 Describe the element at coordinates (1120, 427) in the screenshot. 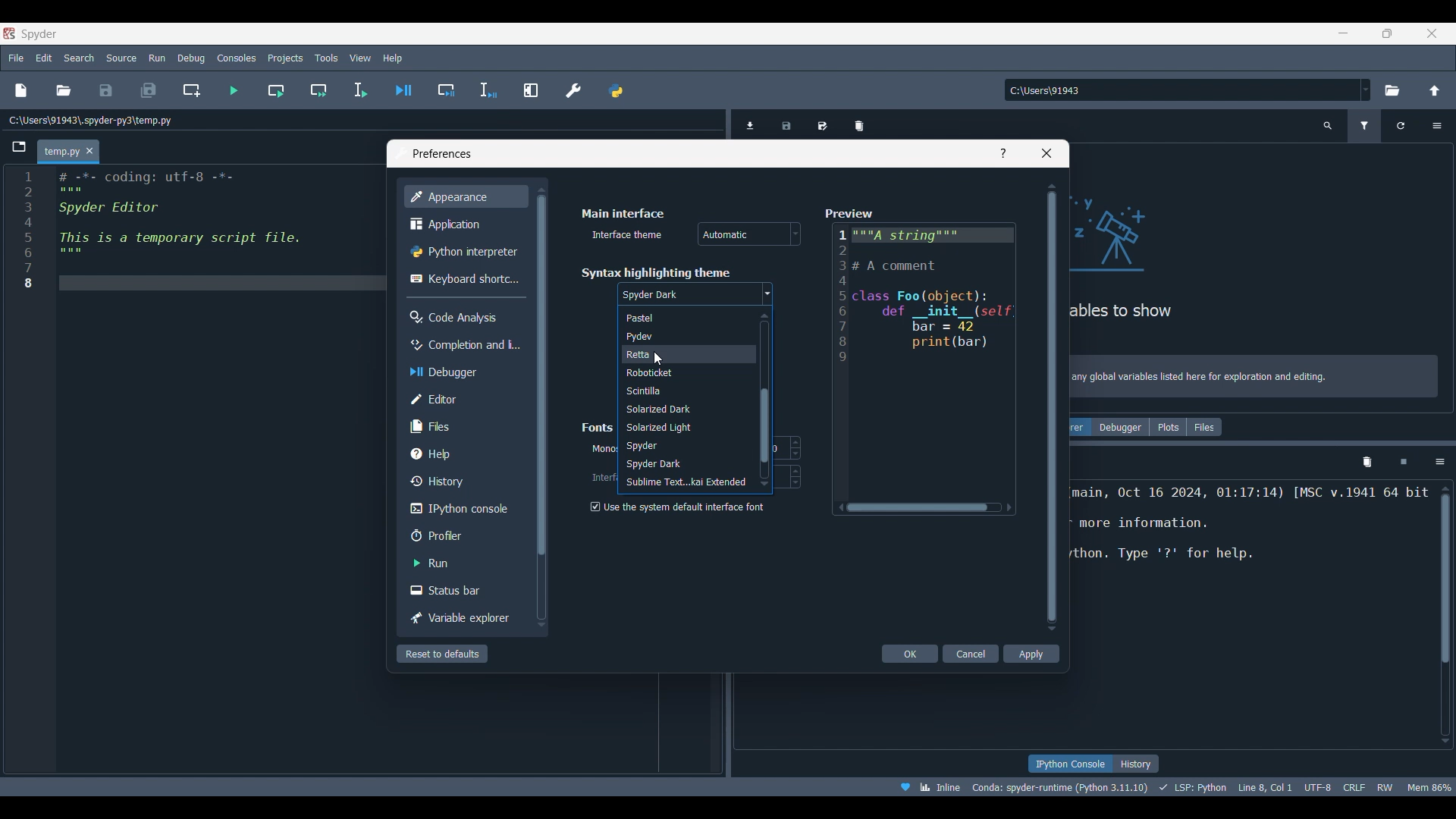

I see `Debugger` at that location.